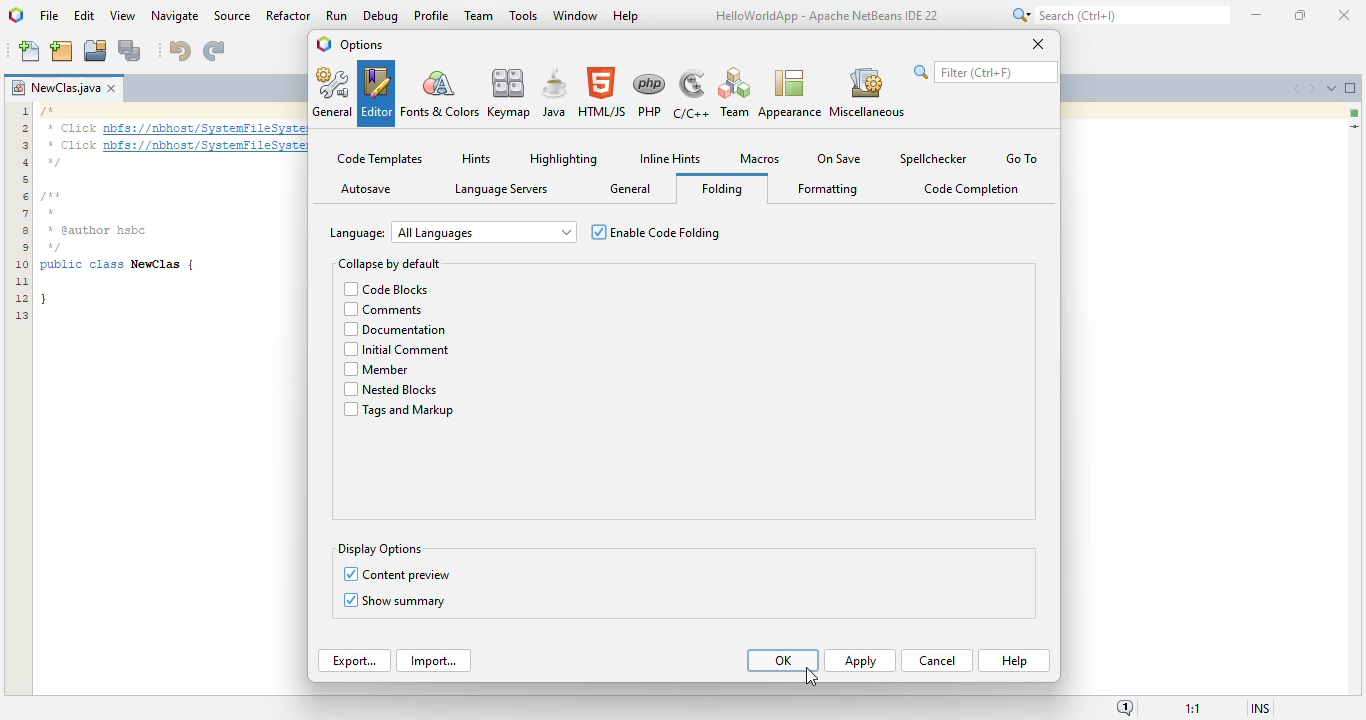 This screenshot has width=1366, height=720. What do you see at coordinates (556, 93) in the screenshot?
I see `java` at bounding box center [556, 93].